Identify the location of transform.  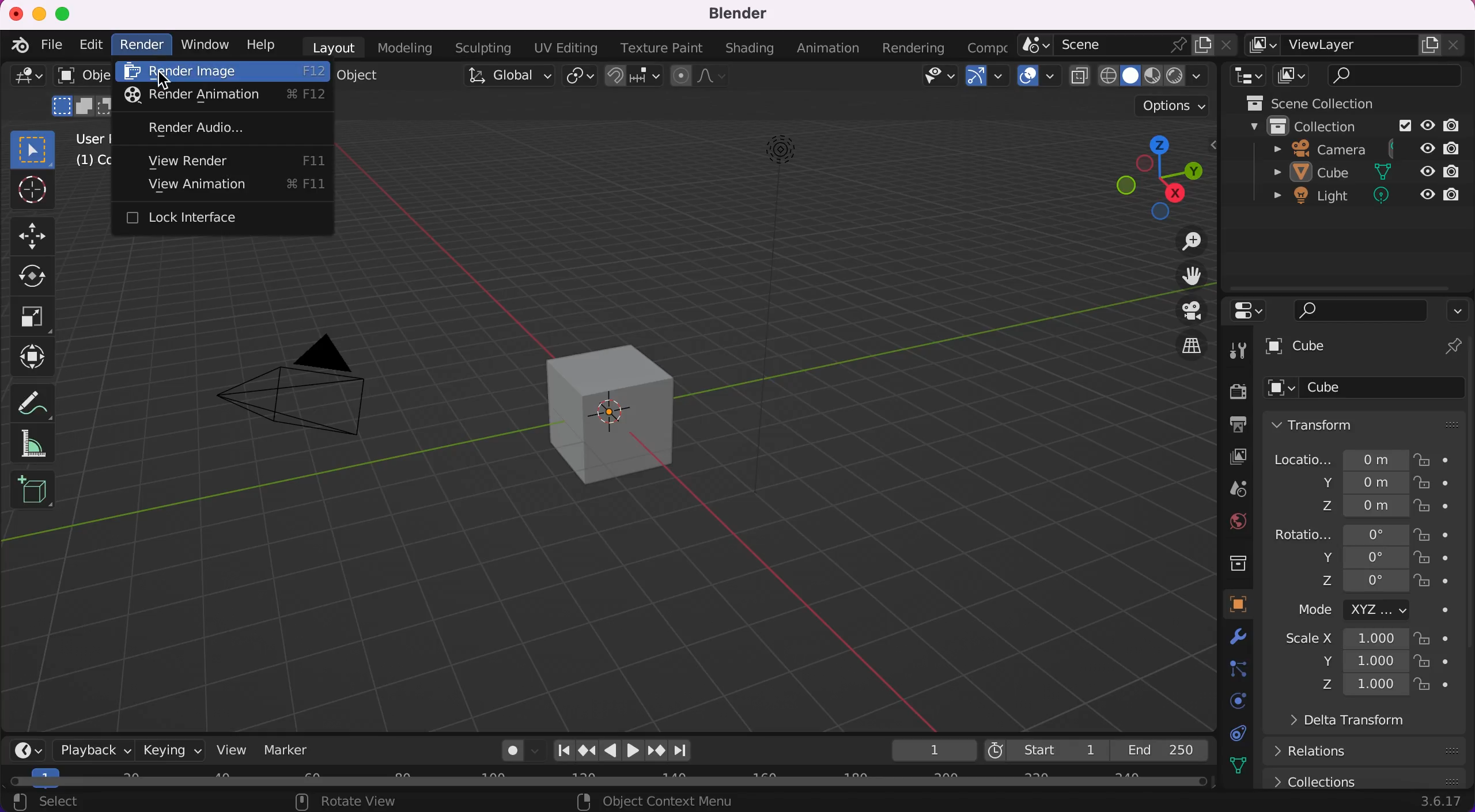
(1368, 426).